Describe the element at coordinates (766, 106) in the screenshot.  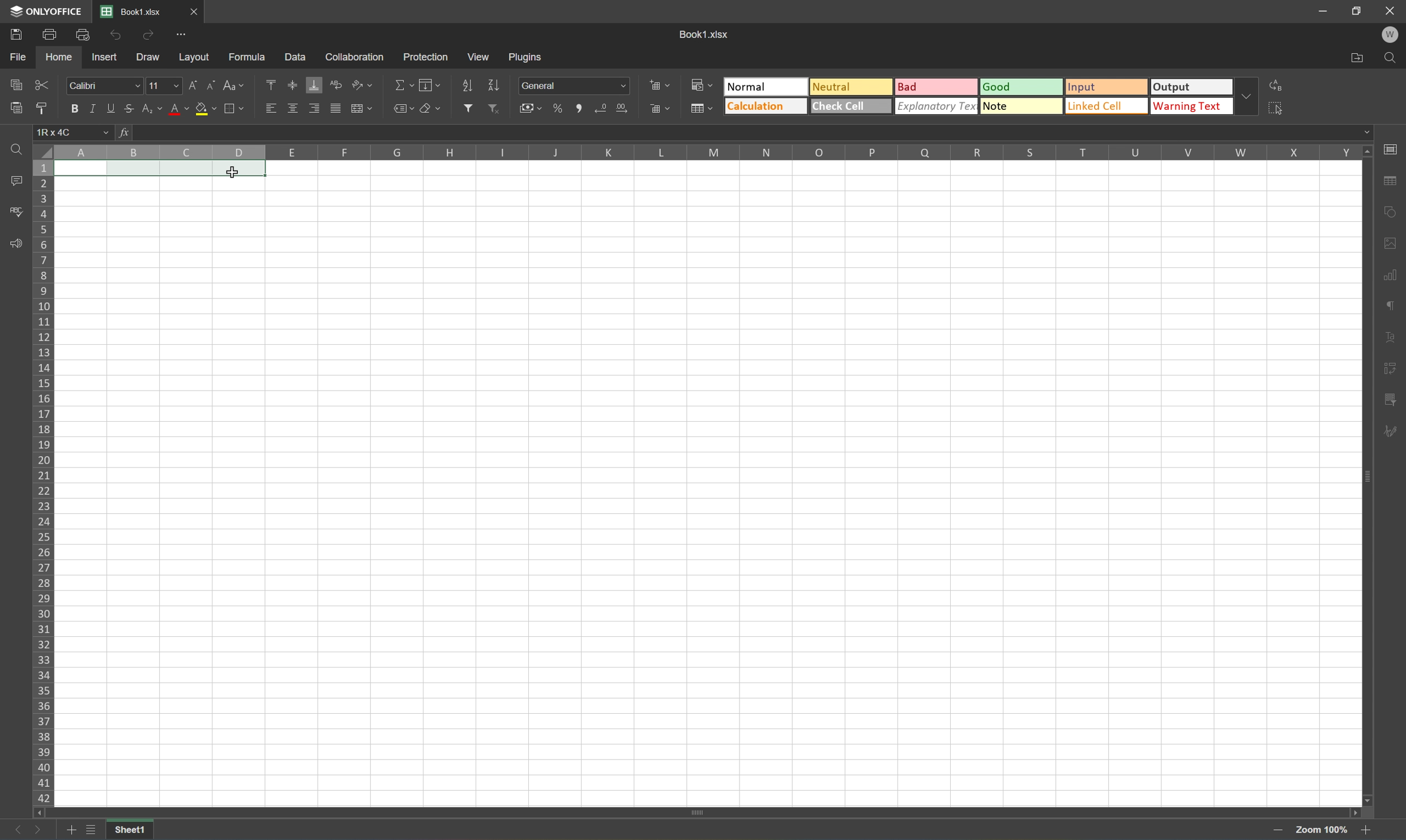
I see `Calculation` at that location.